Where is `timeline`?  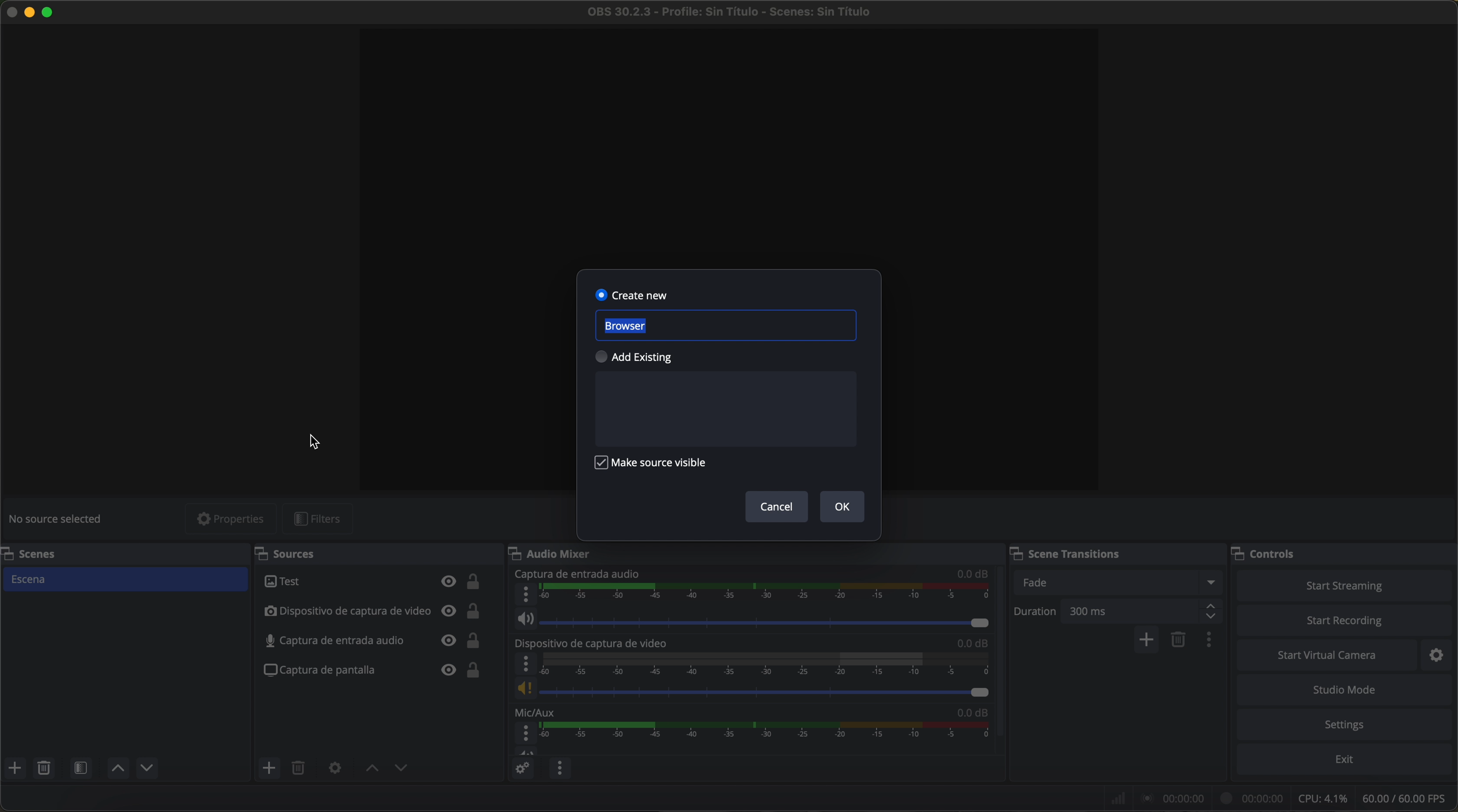 timeline is located at coordinates (768, 737).